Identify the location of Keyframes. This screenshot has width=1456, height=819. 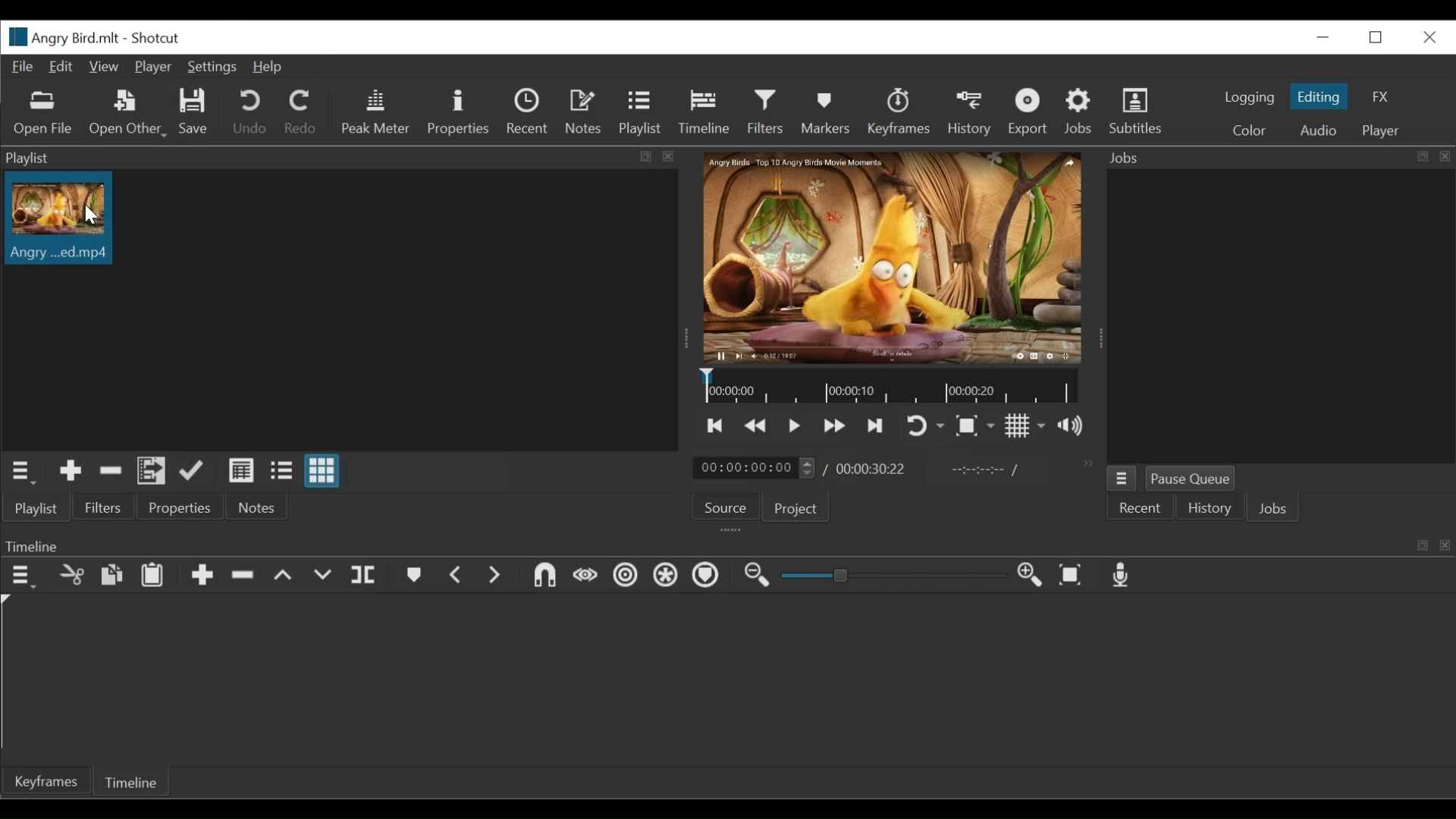
(900, 111).